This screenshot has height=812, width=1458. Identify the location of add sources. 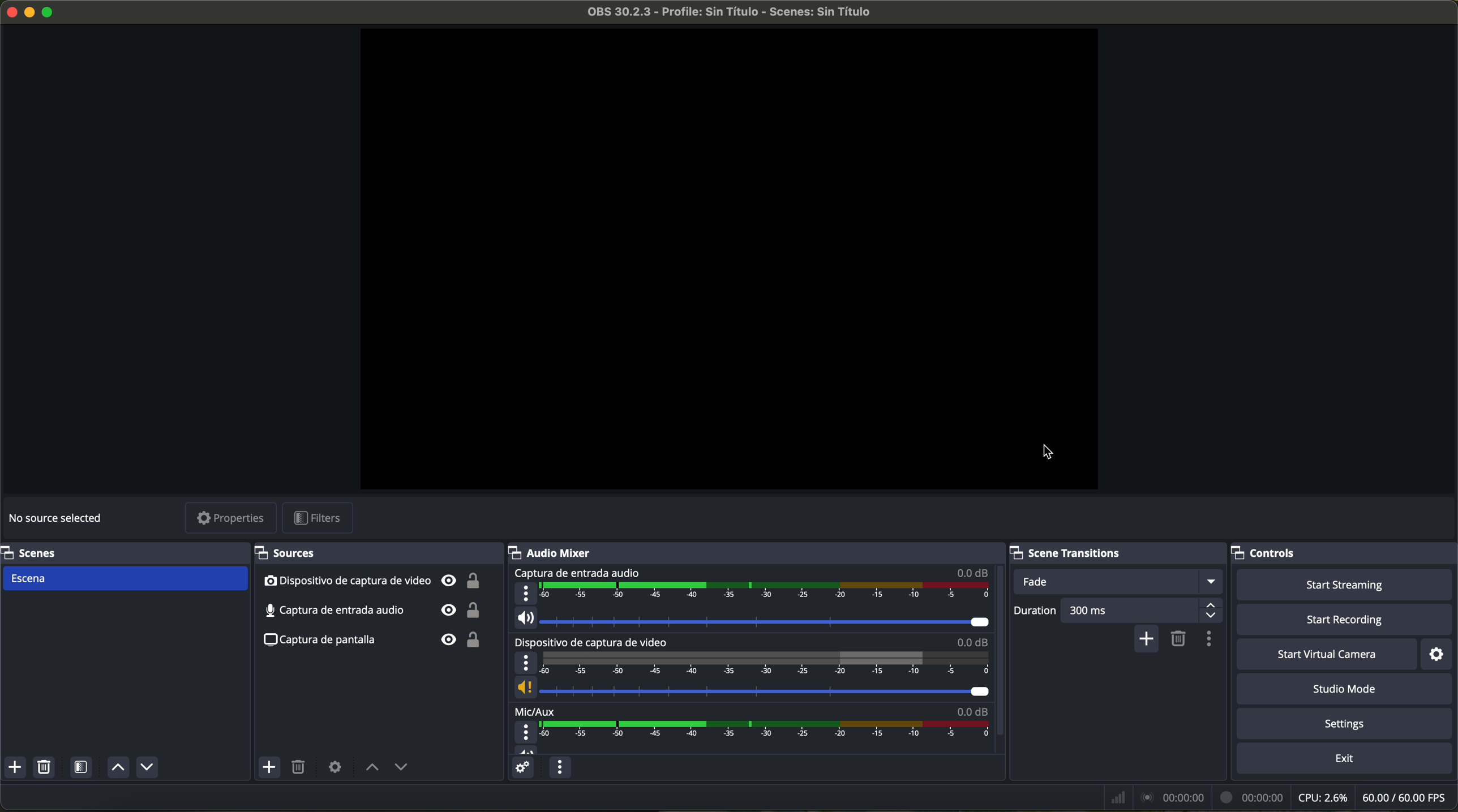
(271, 768).